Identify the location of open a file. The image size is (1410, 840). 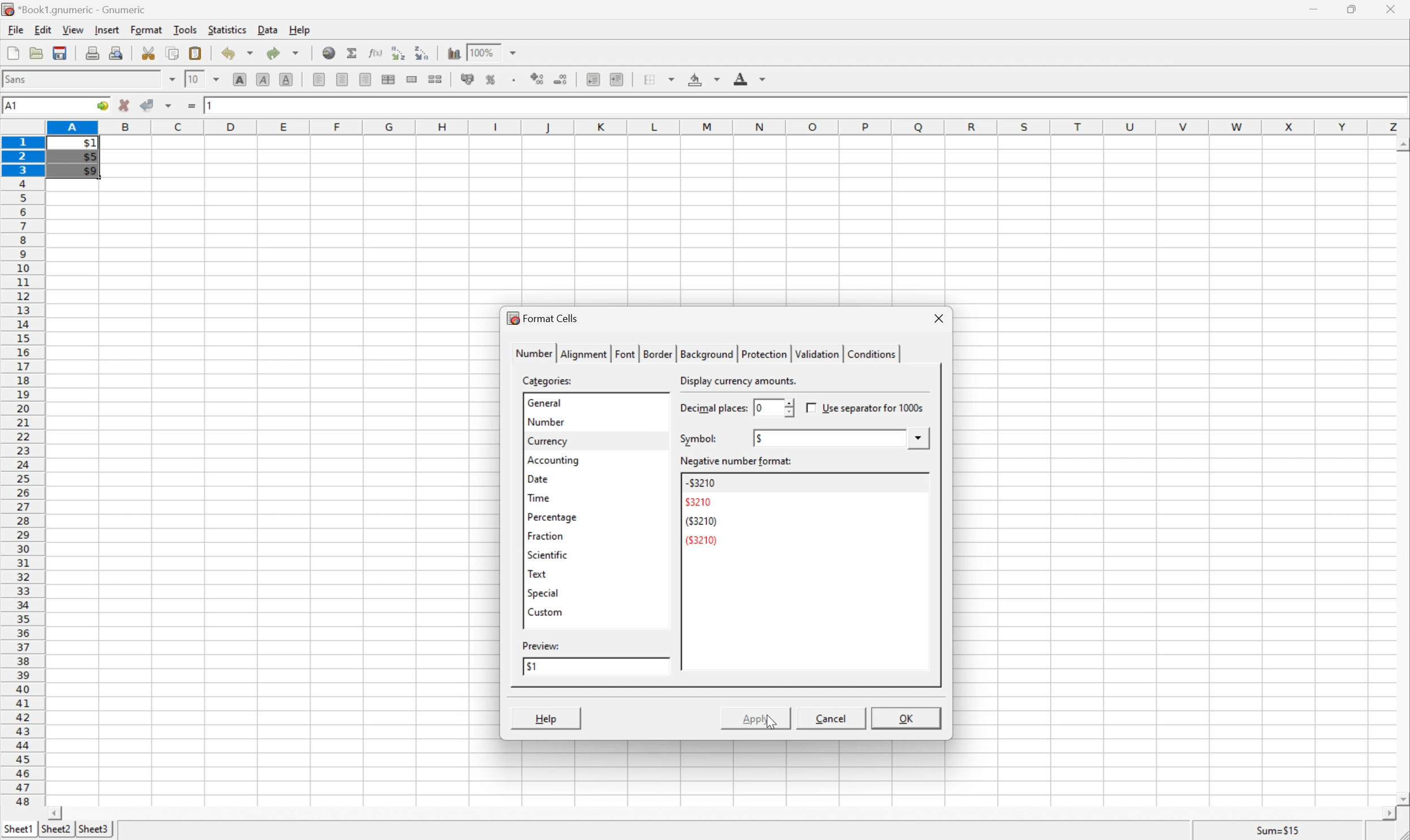
(35, 51).